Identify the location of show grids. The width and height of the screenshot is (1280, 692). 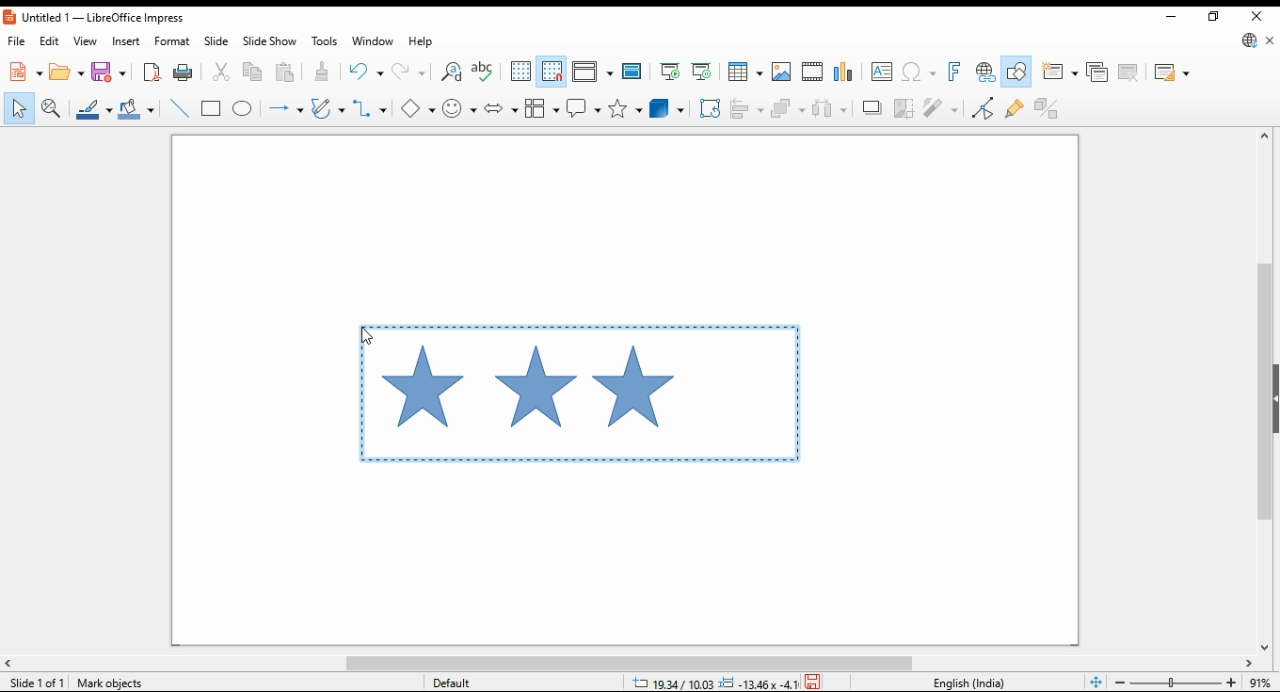
(519, 71).